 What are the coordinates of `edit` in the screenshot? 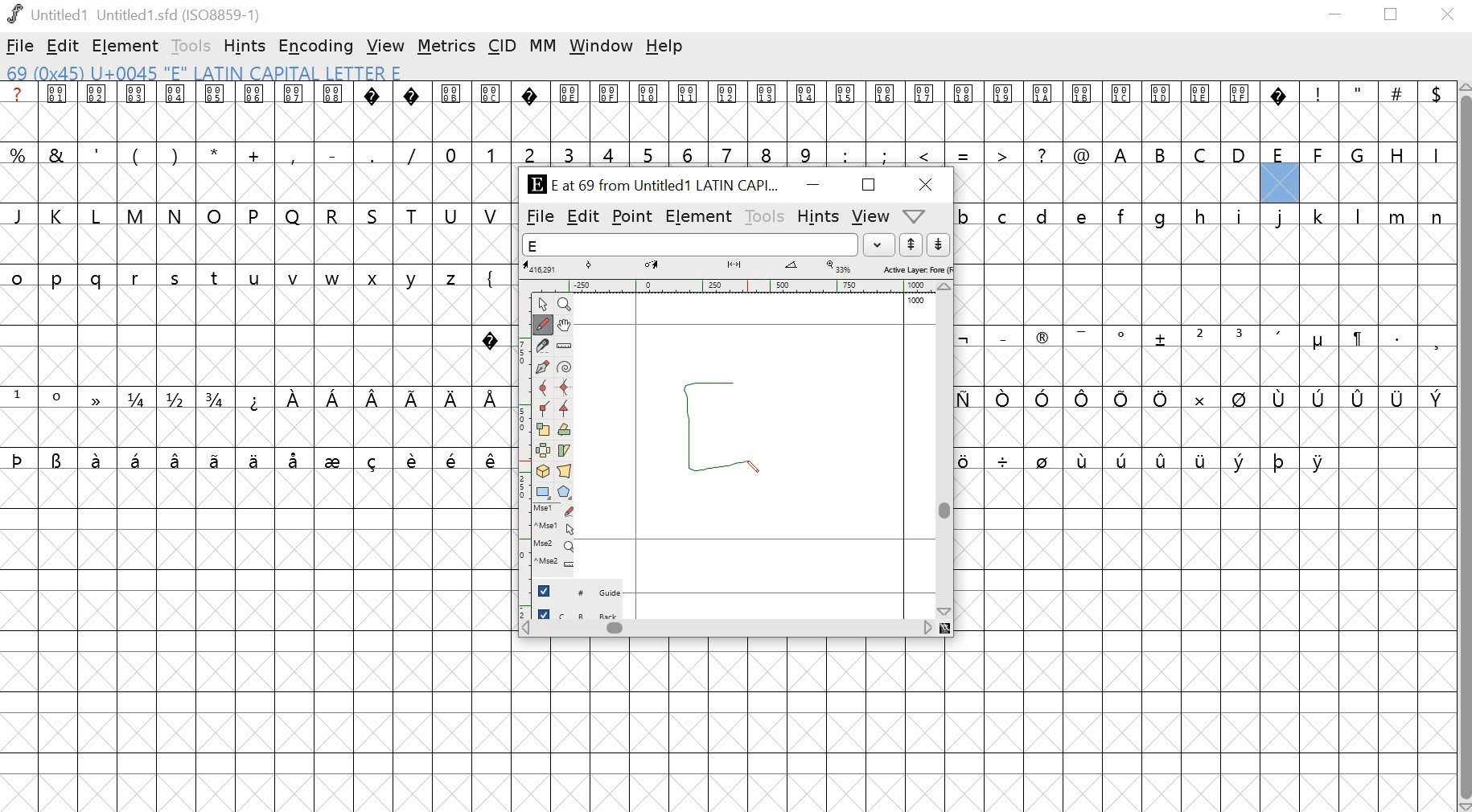 It's located at (64, 46).